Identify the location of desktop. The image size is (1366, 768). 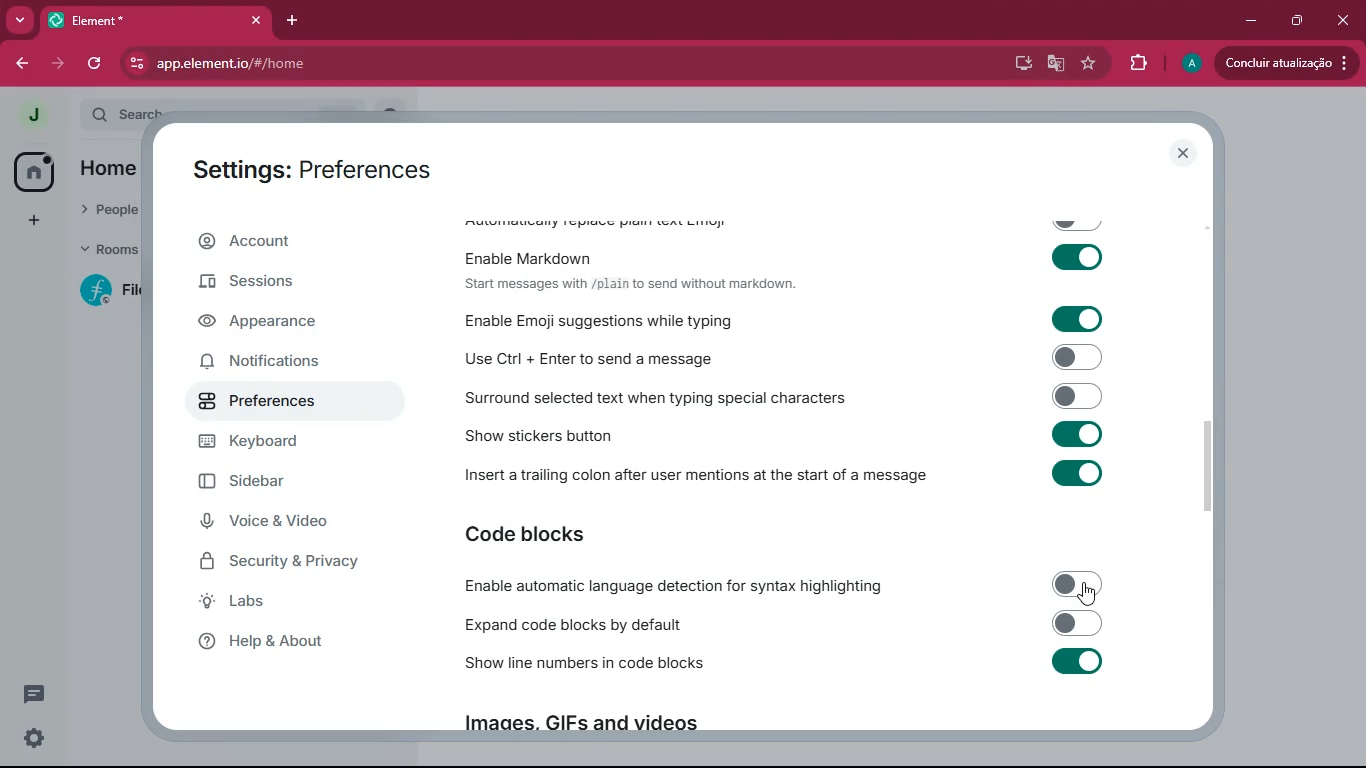
(1021, 64).